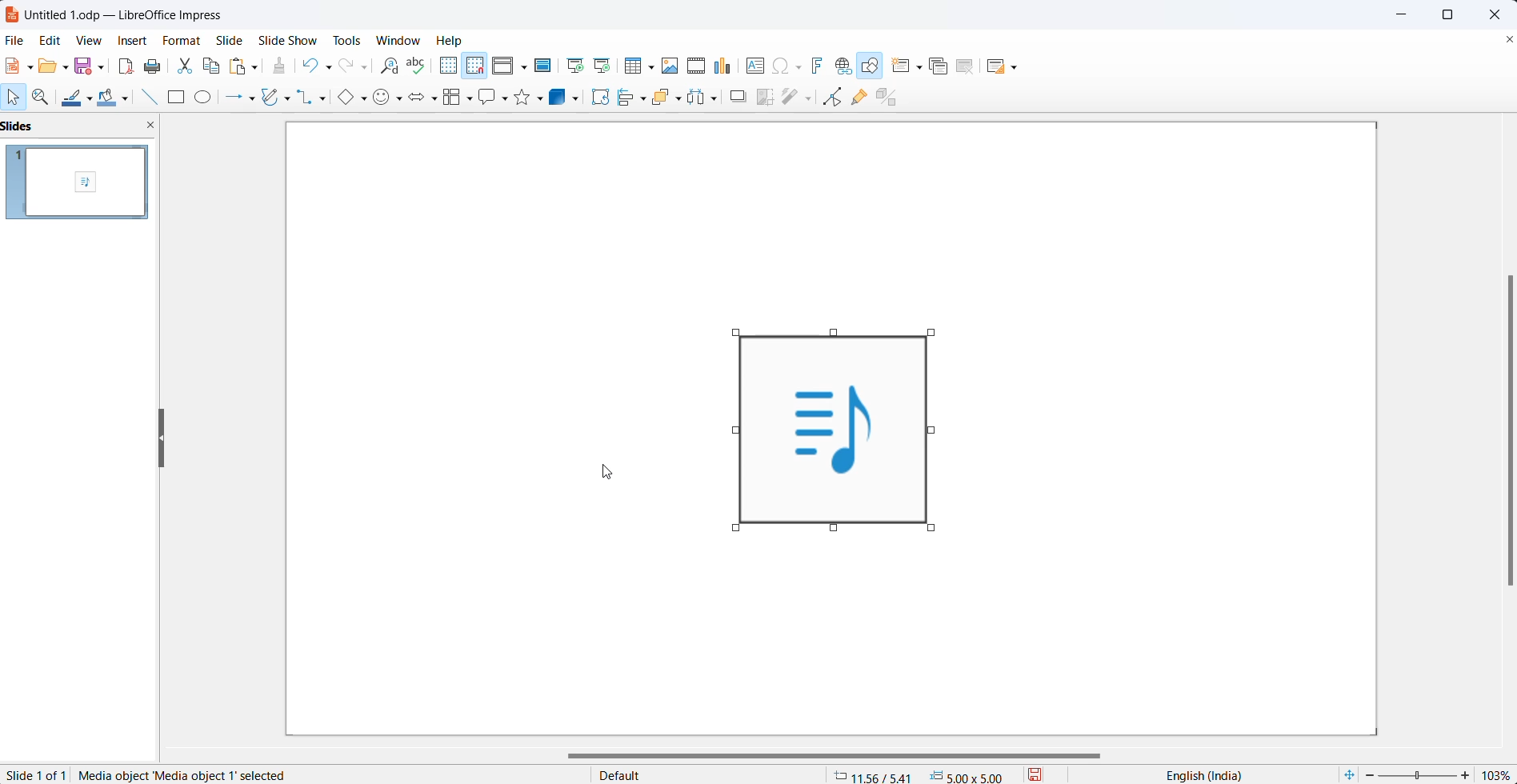 The height and width of the screenshot is (784, 1517). I want to click on find and replace, so click(391, 68).